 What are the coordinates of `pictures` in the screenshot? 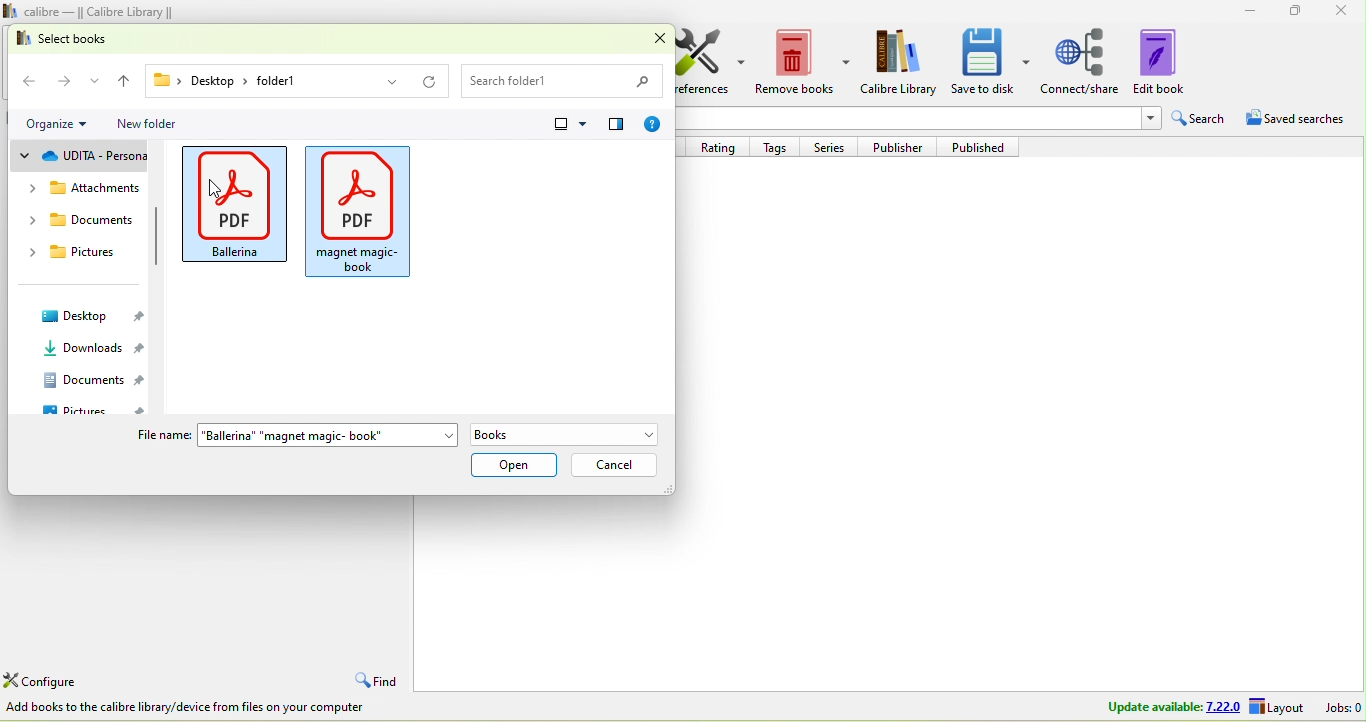 It's located at (83, 254).